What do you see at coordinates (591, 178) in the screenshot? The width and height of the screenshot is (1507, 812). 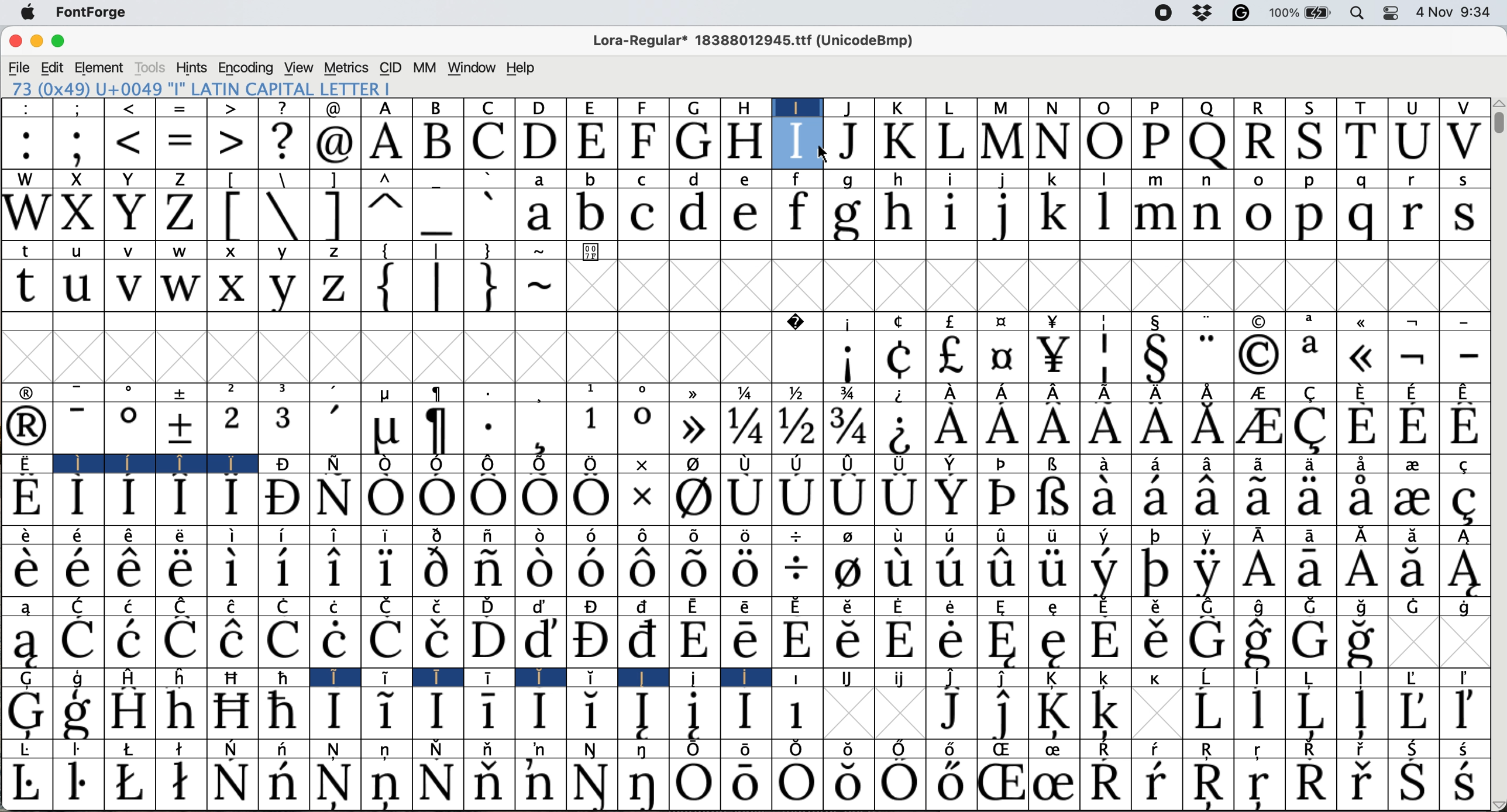 I see `b` at bounding box center [591, 178].